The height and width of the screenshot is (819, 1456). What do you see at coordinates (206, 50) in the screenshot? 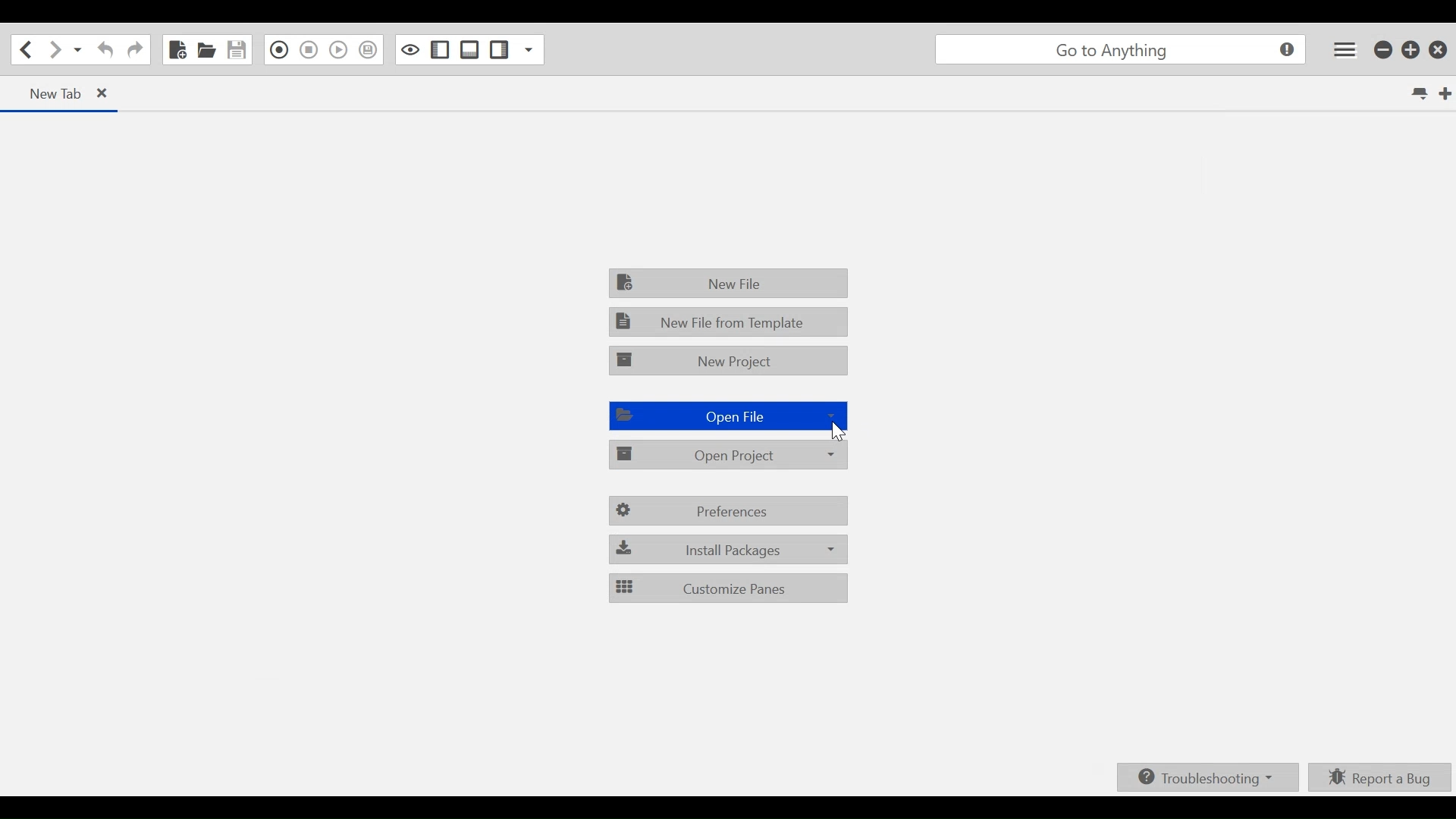
I see `Open File` at bounding box center [206, 50].